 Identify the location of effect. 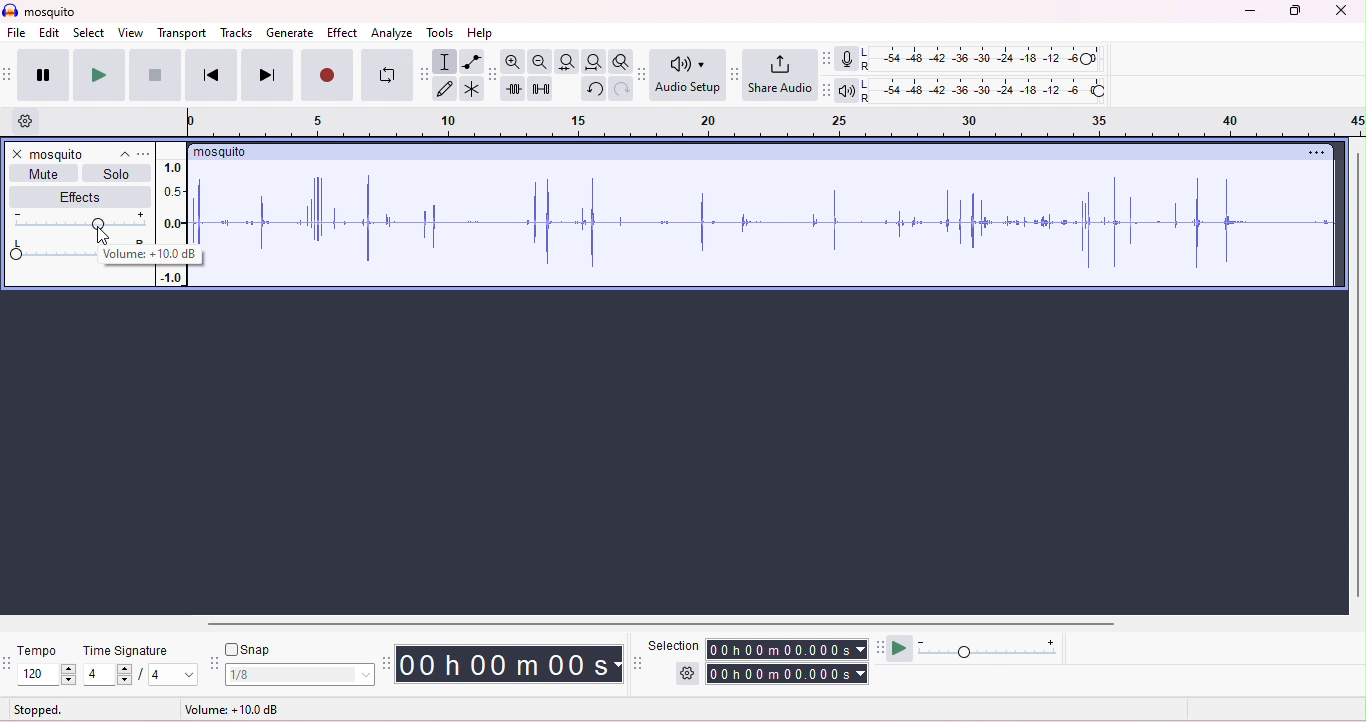
(342, 32).